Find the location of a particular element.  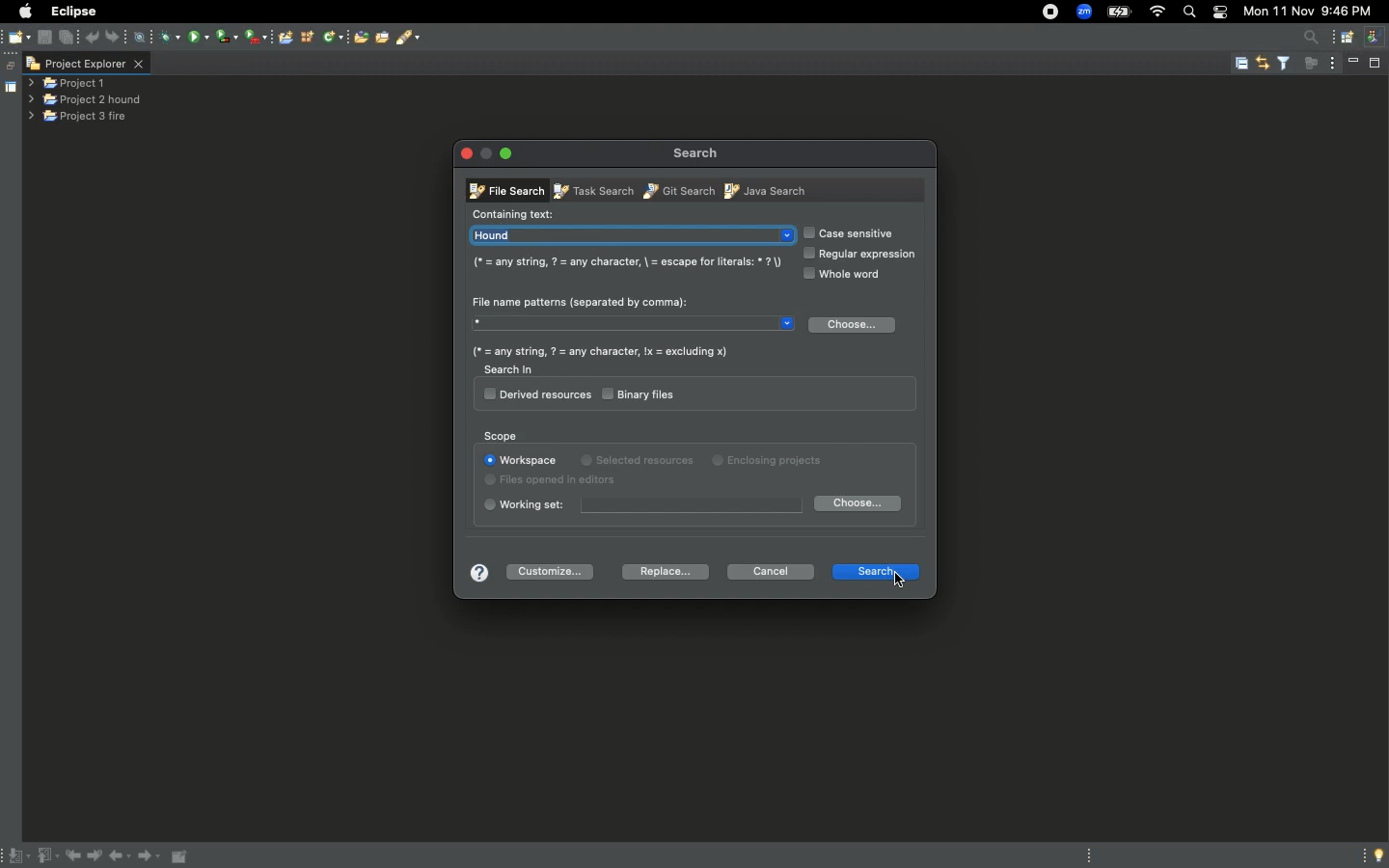

Enclosing projects is located at coordinates (771, 463).